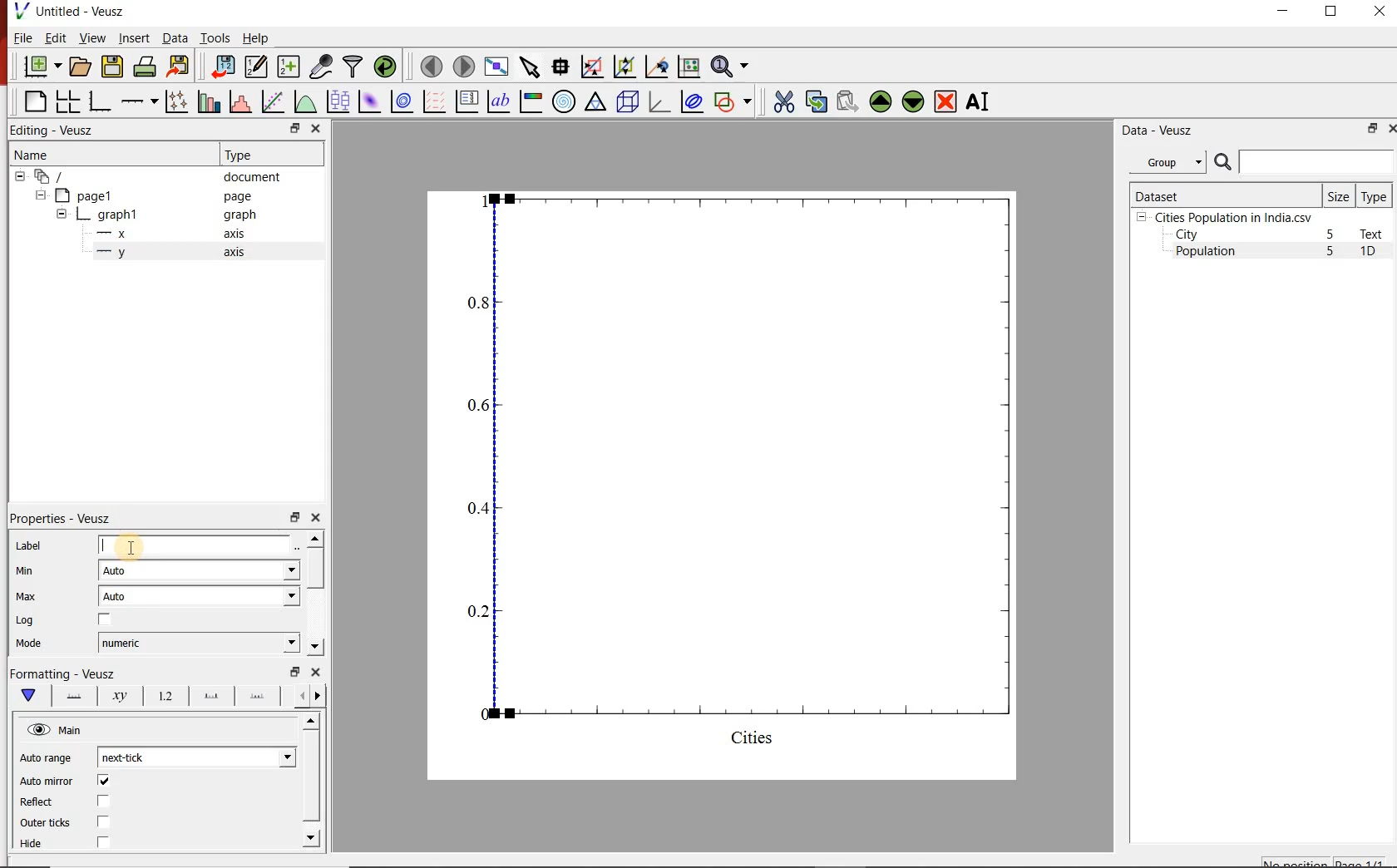  What do you see at coordinates (318, 128) in the screenshot?
I see `close` at bounding box center [318, 128].